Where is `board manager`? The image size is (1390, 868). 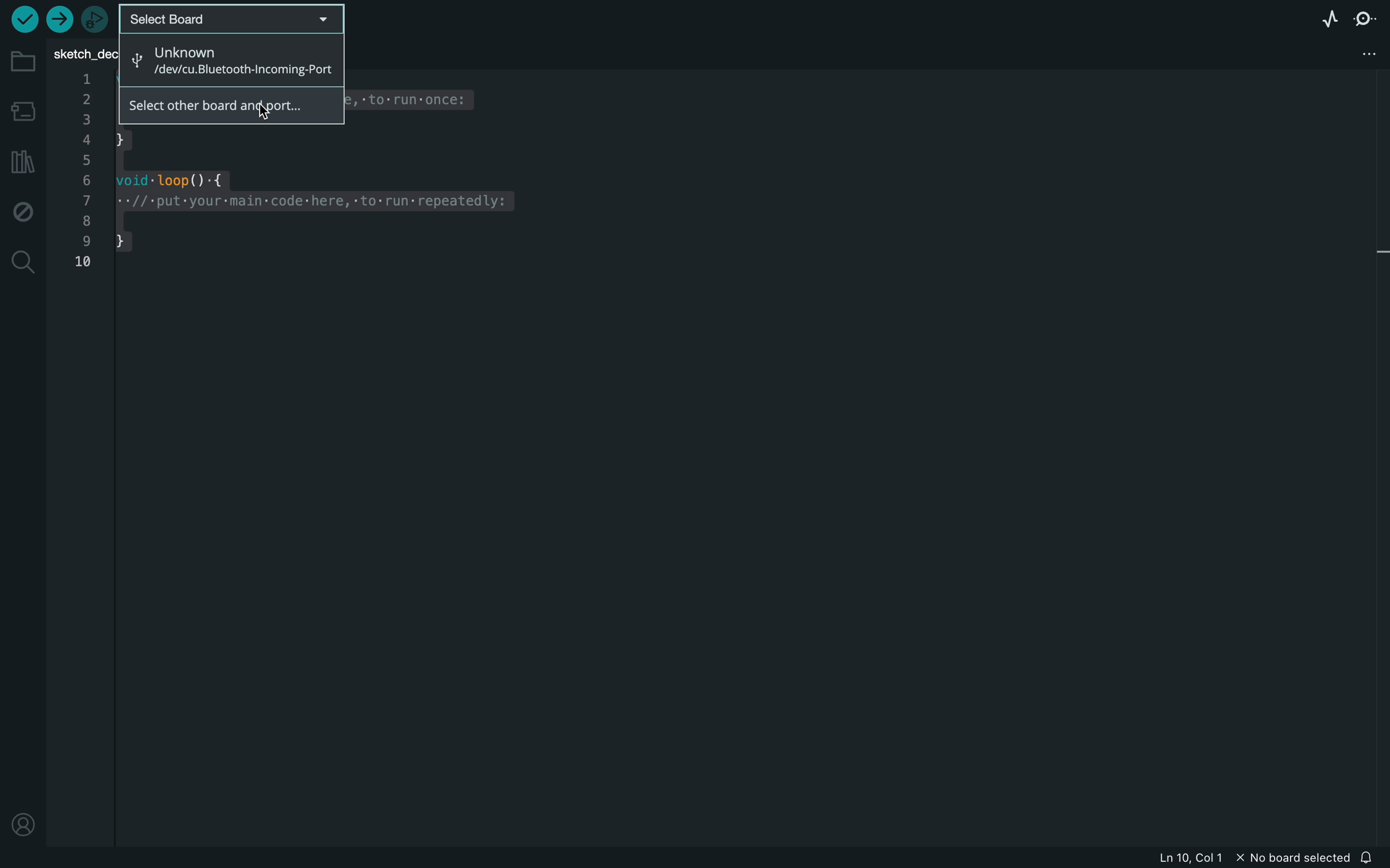
board manager is located at coordinates (22, 110).